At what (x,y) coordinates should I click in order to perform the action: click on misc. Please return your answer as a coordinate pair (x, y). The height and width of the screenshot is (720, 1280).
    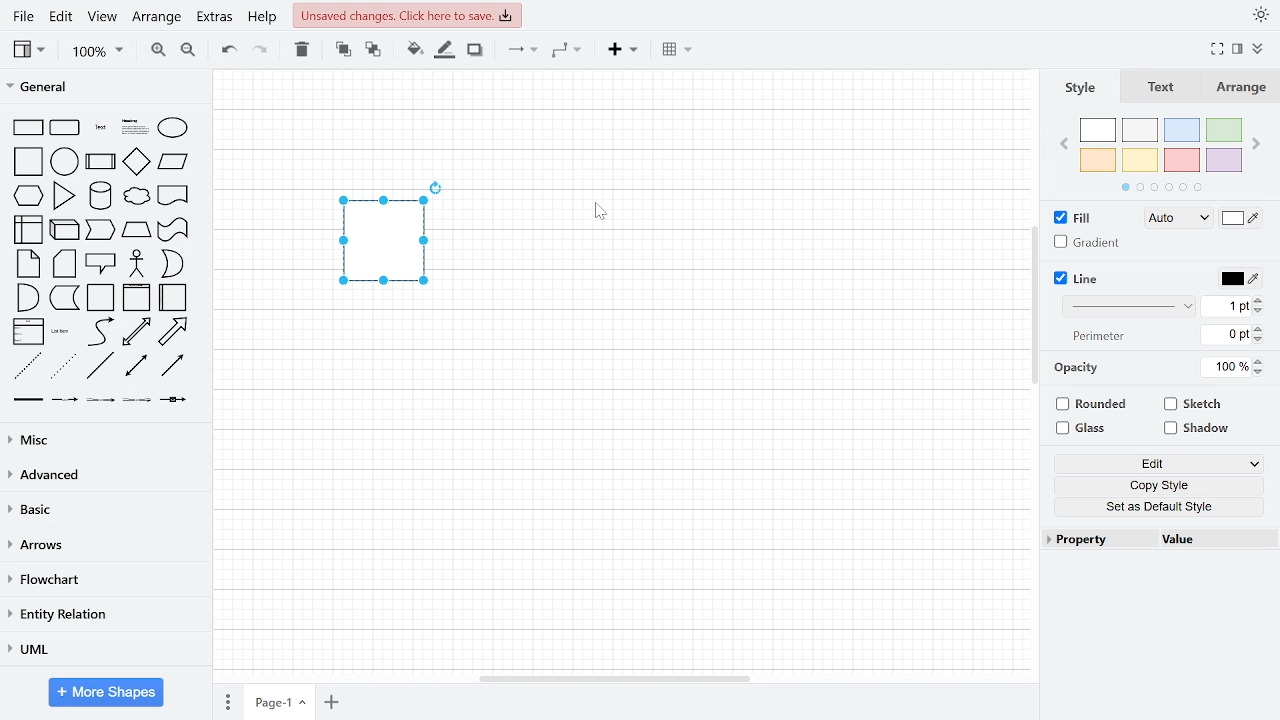
    Looking at the image, I should click on (103, 437).